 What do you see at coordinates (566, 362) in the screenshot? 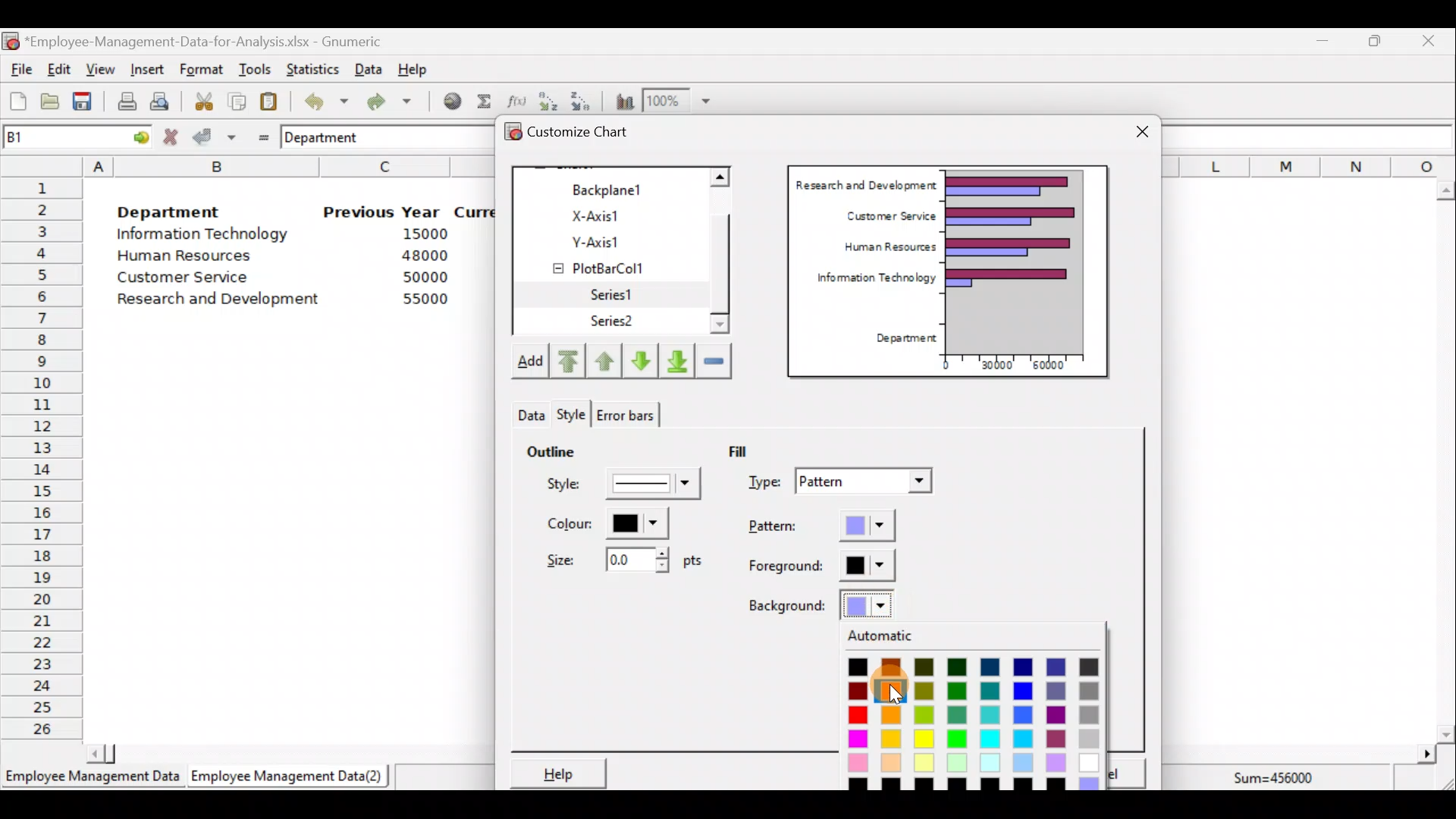
I see `Move upward` at bounding box center [566, 362].